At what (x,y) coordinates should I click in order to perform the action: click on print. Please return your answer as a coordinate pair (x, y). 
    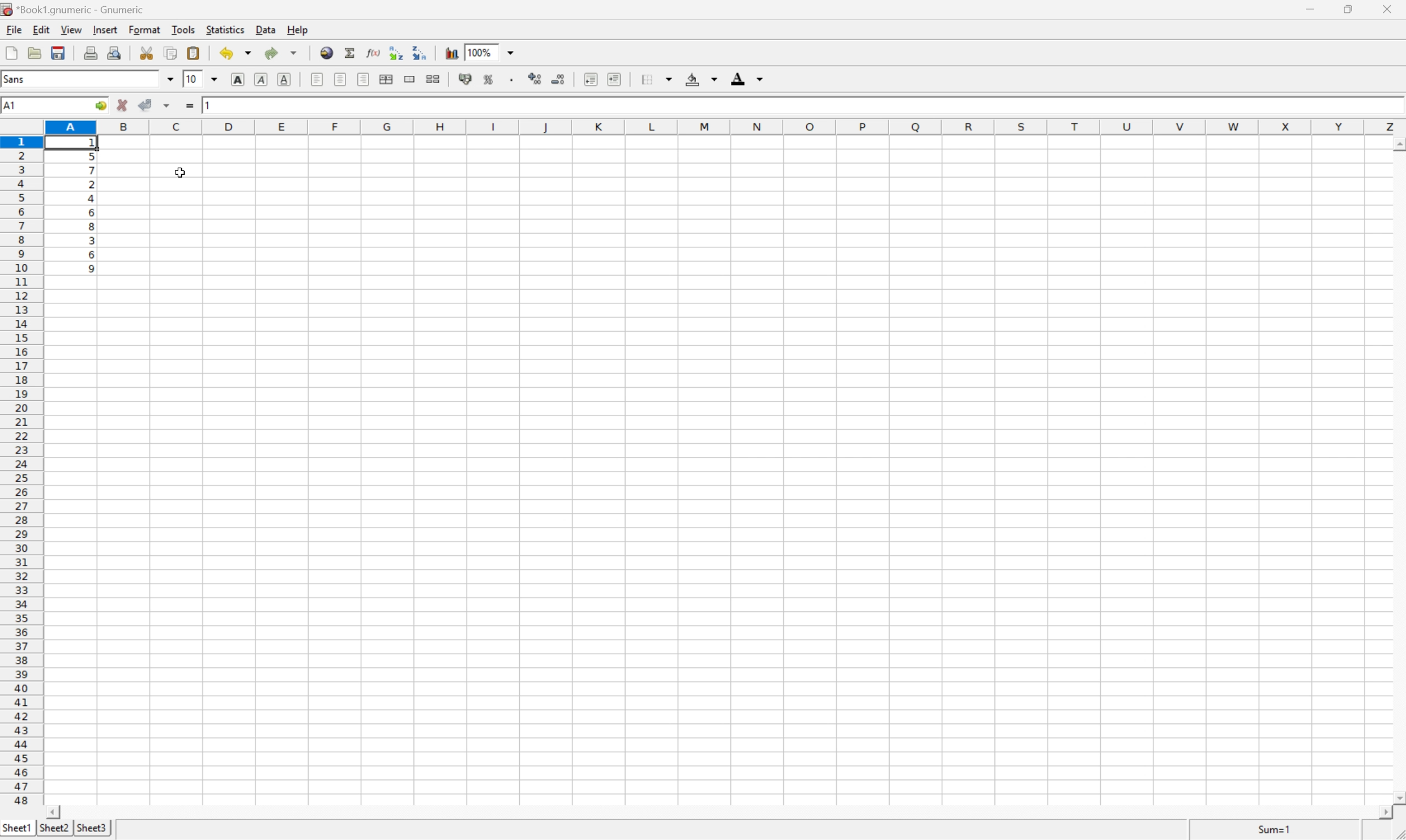
    Looking at the image, I should click on (91, 53).